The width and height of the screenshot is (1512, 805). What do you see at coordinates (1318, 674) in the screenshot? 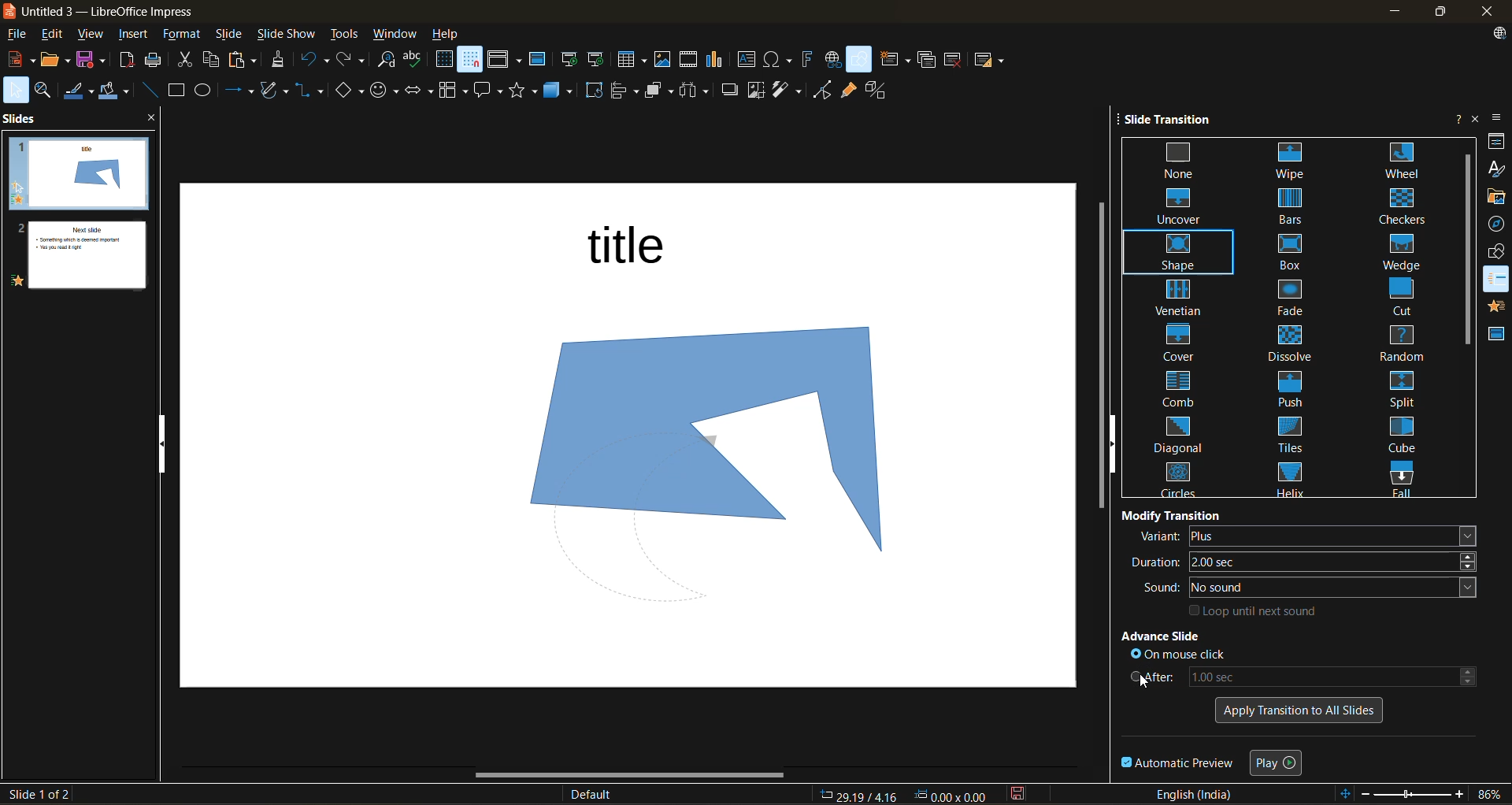
I see `after` at bounding box center [1318, 674].